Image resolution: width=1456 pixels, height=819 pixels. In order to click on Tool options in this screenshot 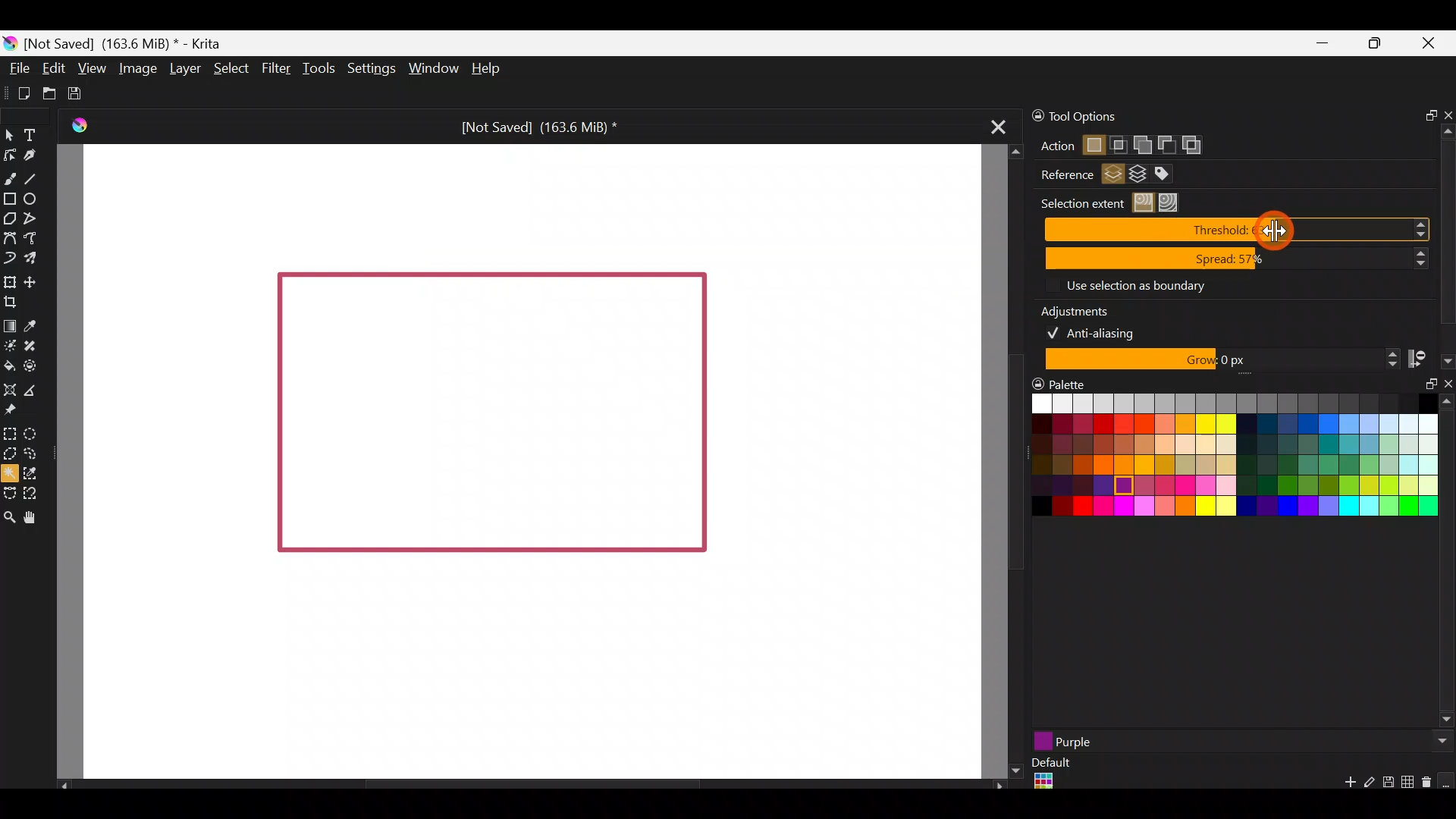, I will do `click(1113, 117)`.